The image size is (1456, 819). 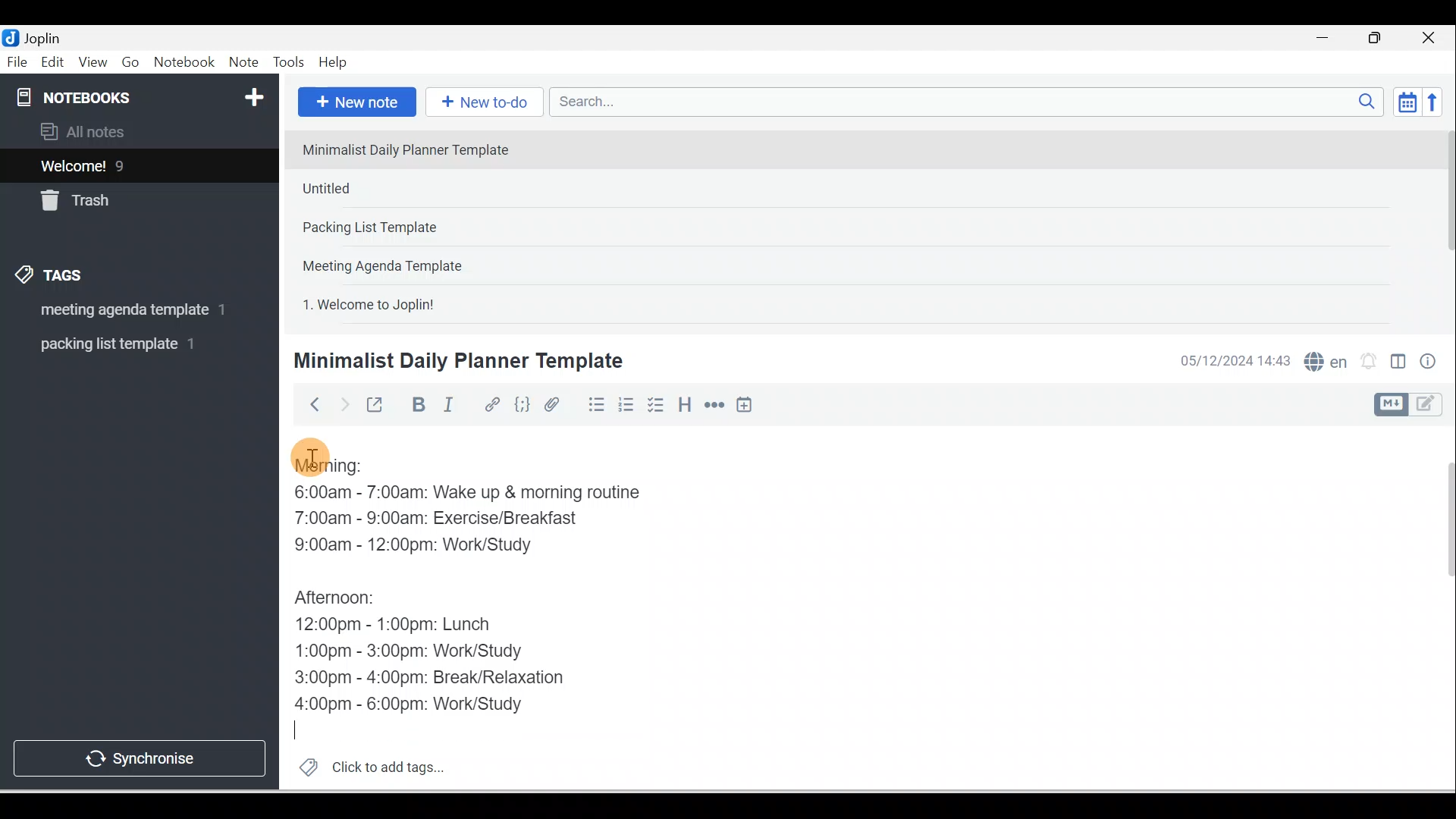 I want to click on Note properties, so click(x=1429, y=363).